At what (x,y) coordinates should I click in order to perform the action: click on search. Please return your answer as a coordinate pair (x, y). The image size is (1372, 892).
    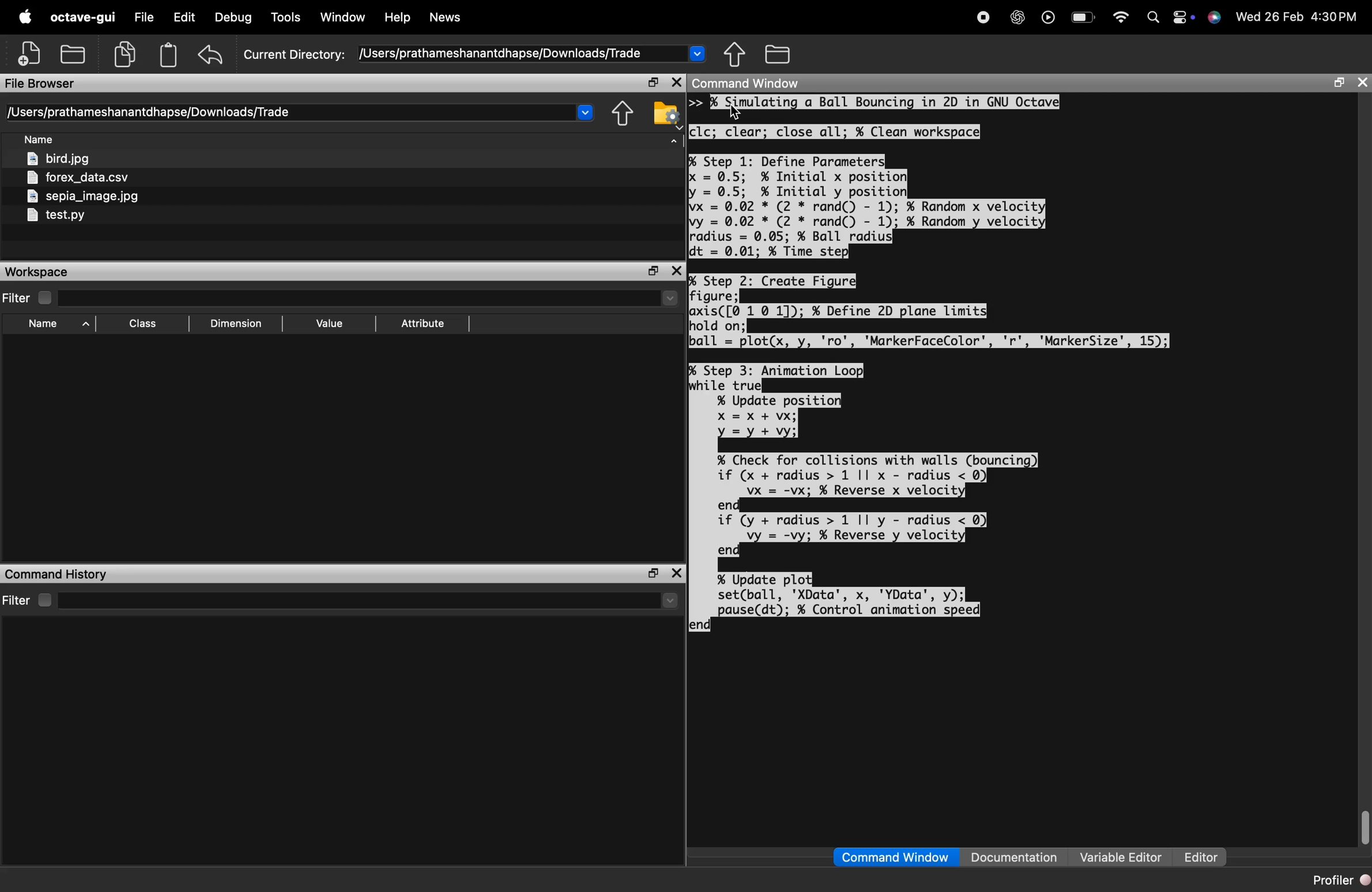
    Looking at the image, I should click on (1153, 20).